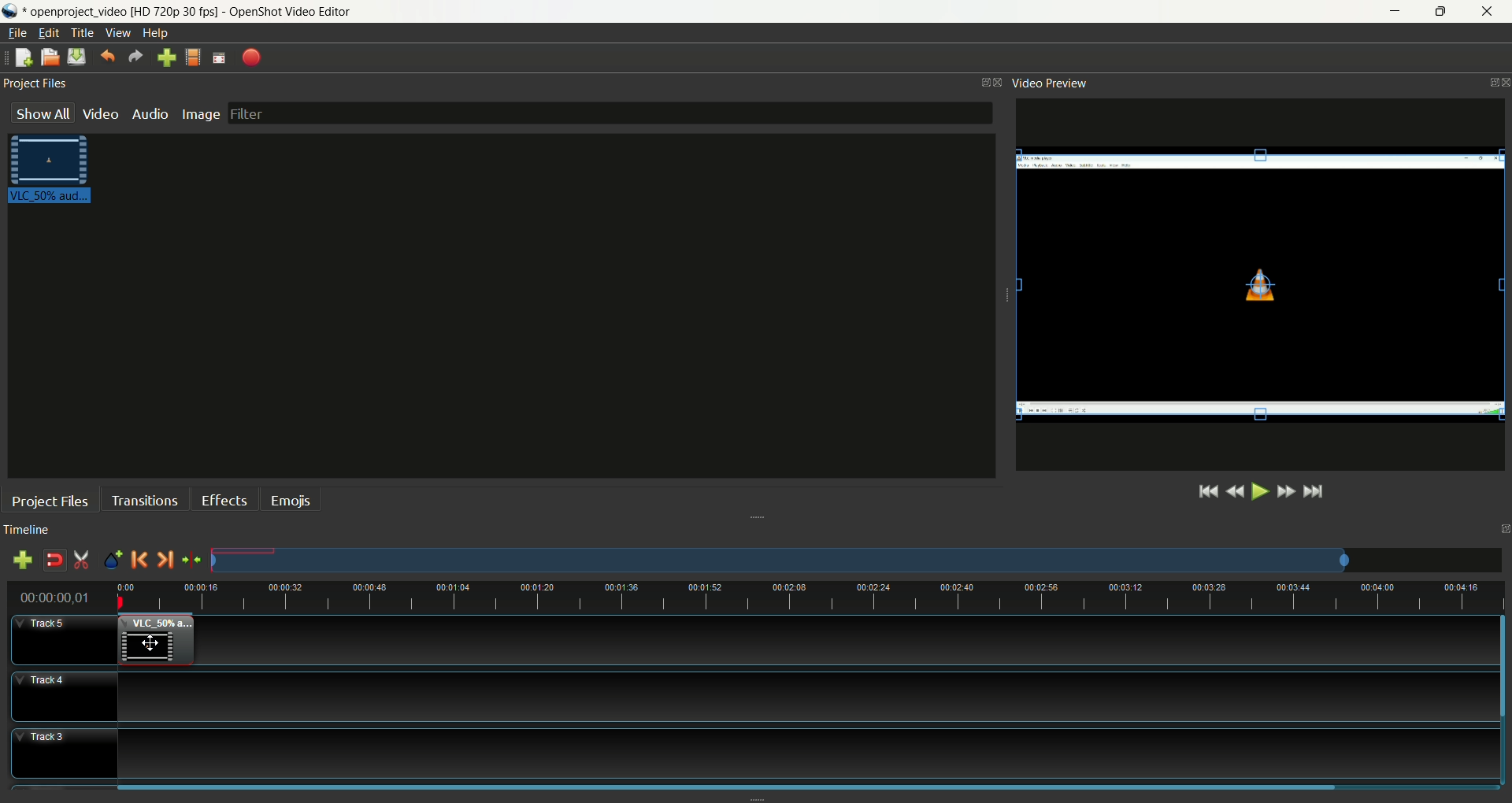 The image size is (1512, 803). What do you see at coordinates (64, 754) in the screenshot?
I see `track3` at bounding box center [64, 754].